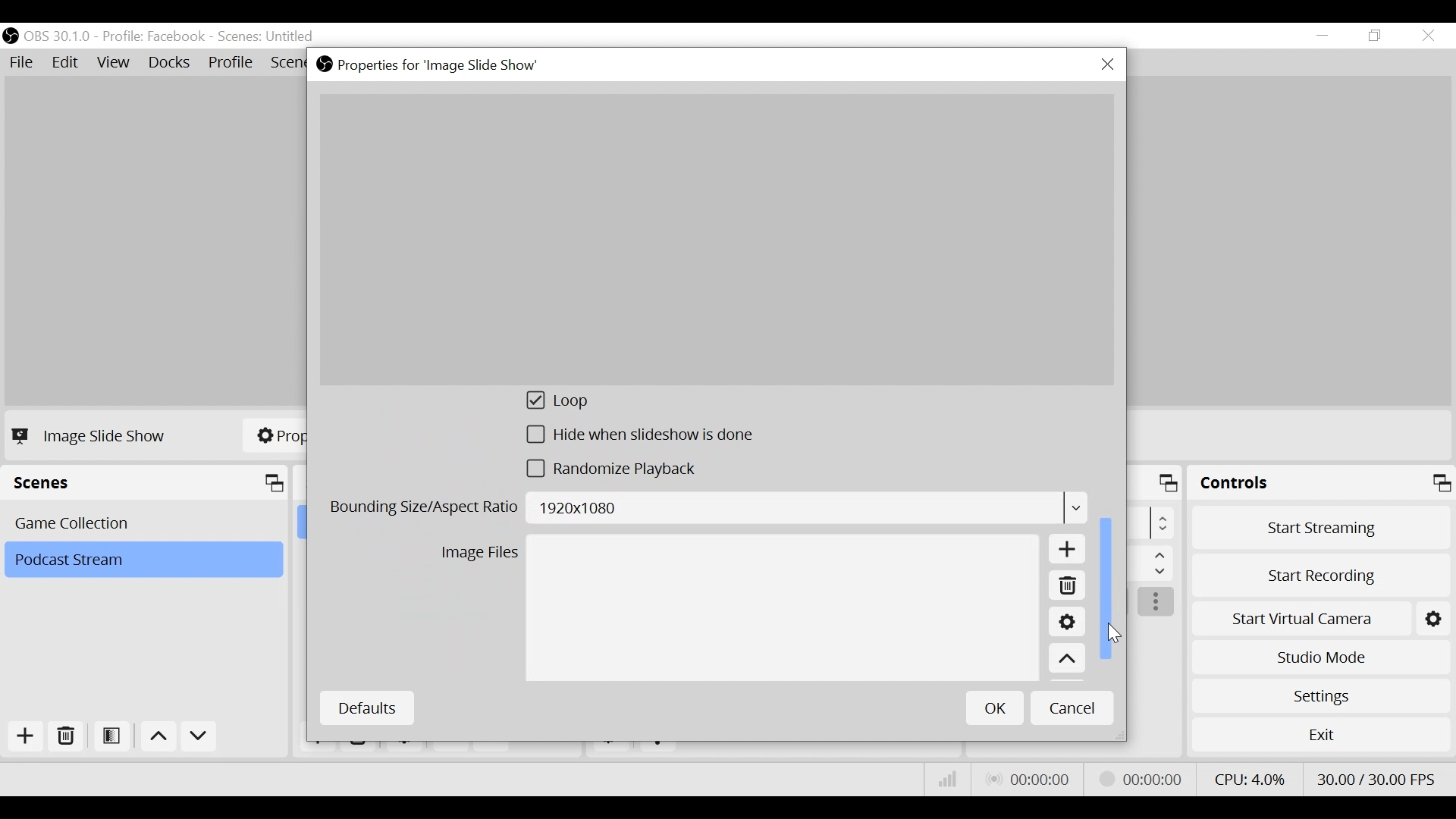 This screenshot has width=1456, height=819. What do you see at coordinates (1027, 780) in the screenshot?
I see `Live Status` at bounding box center [1027, 780].